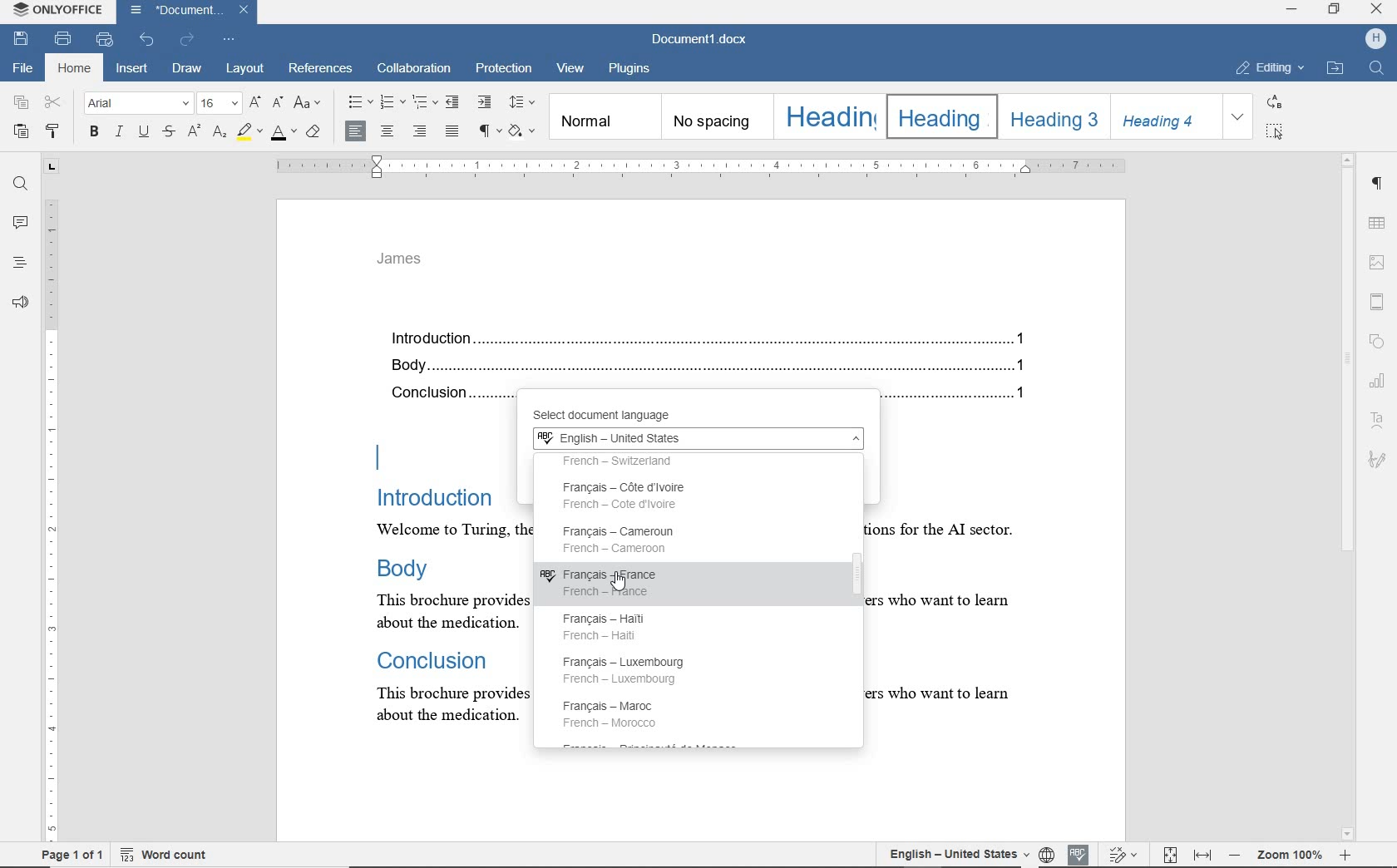 The height and width of the screenshot is (868, 1397). What do you see at coordinates (699, 166) in the screenshot?
I see `ruler` at bounding box center [699, 166].